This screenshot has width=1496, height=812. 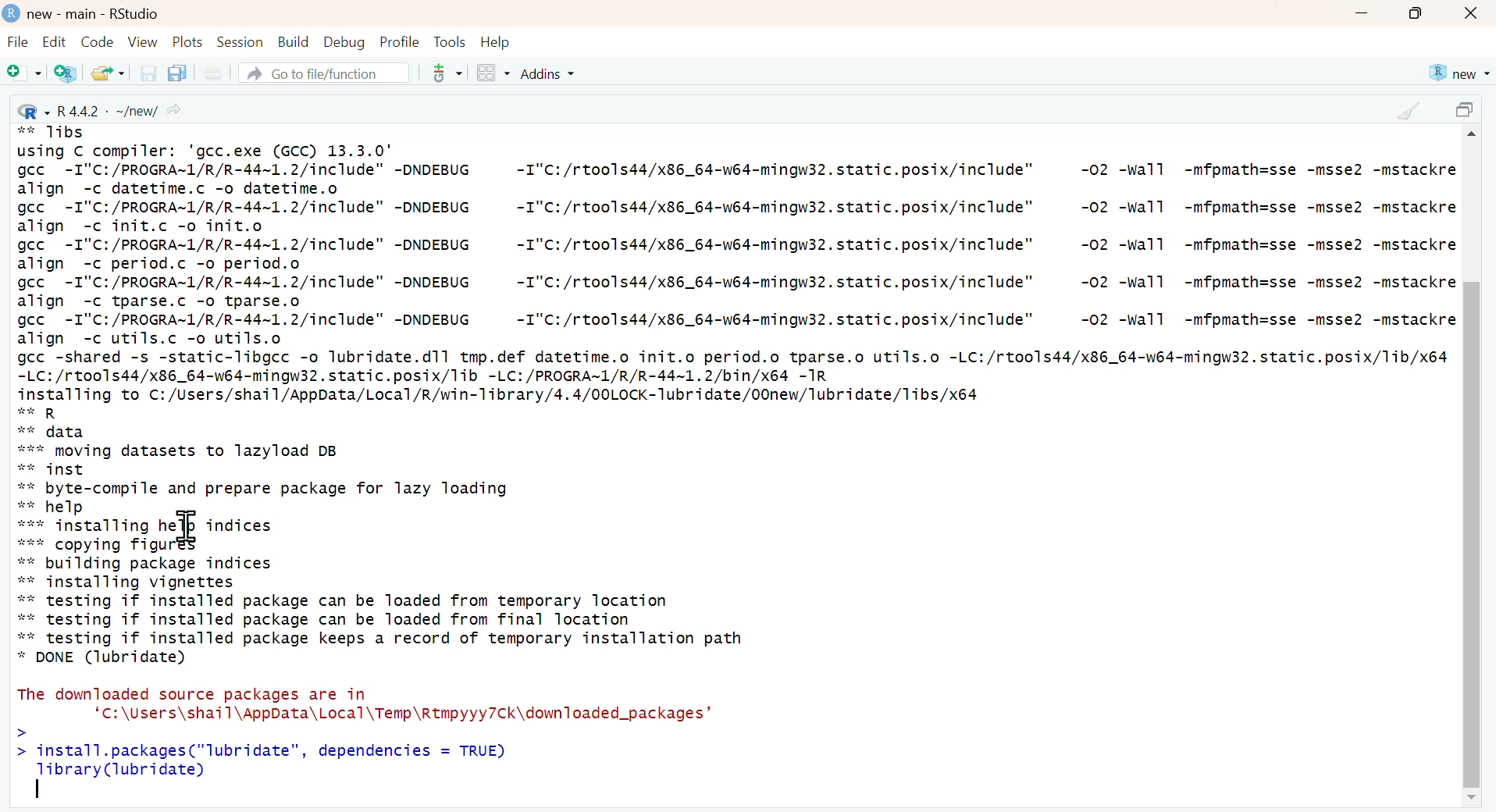 What do you see at coordinates (102, 109) in the screenshot?
I see `R 4.4.2 . ~/new/` at bounding box center [102, 109].